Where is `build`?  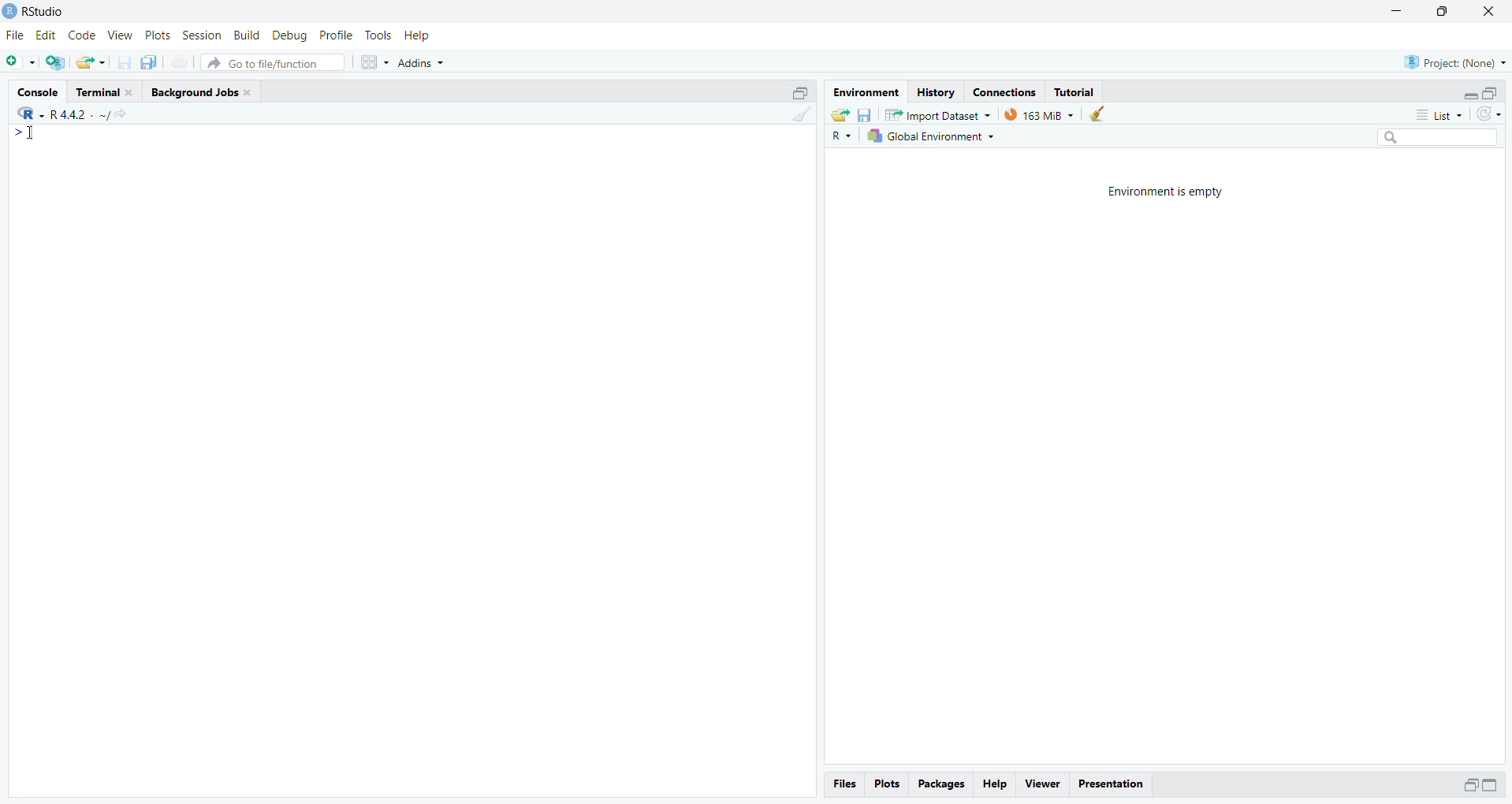 build is located at coordinates (247, 35).